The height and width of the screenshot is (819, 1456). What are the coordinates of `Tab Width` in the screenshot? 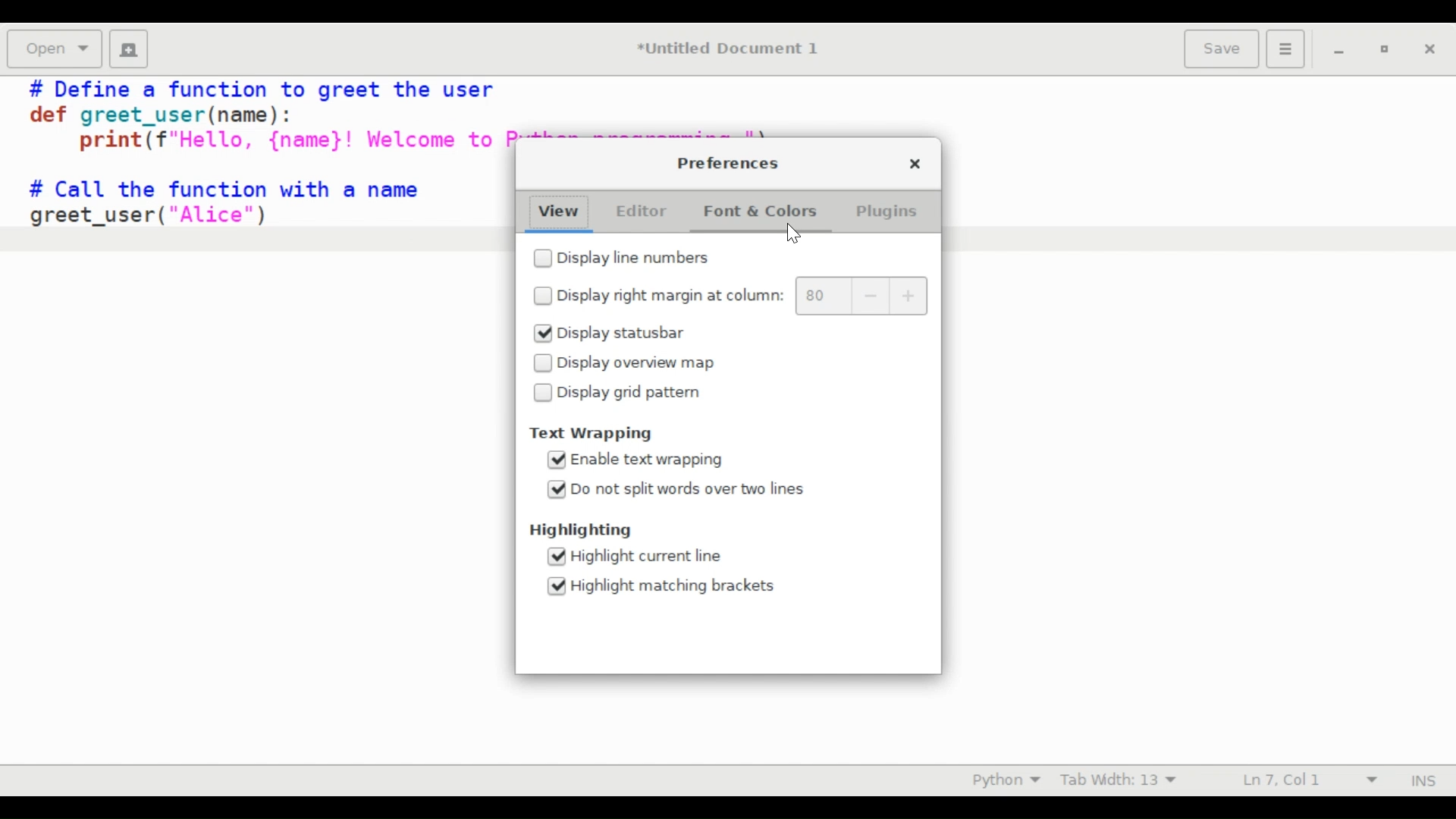 It's located at (1116, 780).